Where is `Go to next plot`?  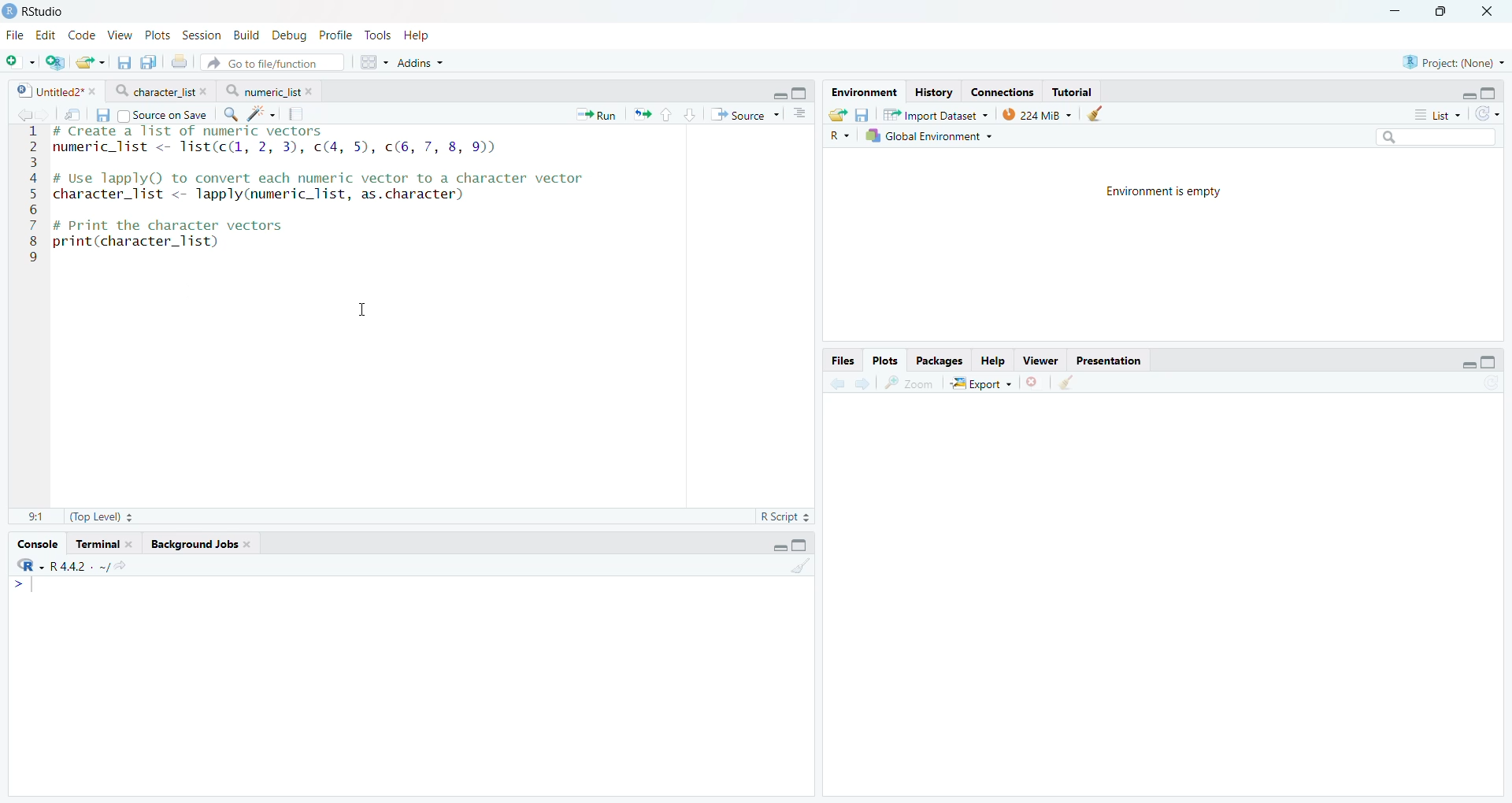
Go to next plot is located at coordinates (865, 382).